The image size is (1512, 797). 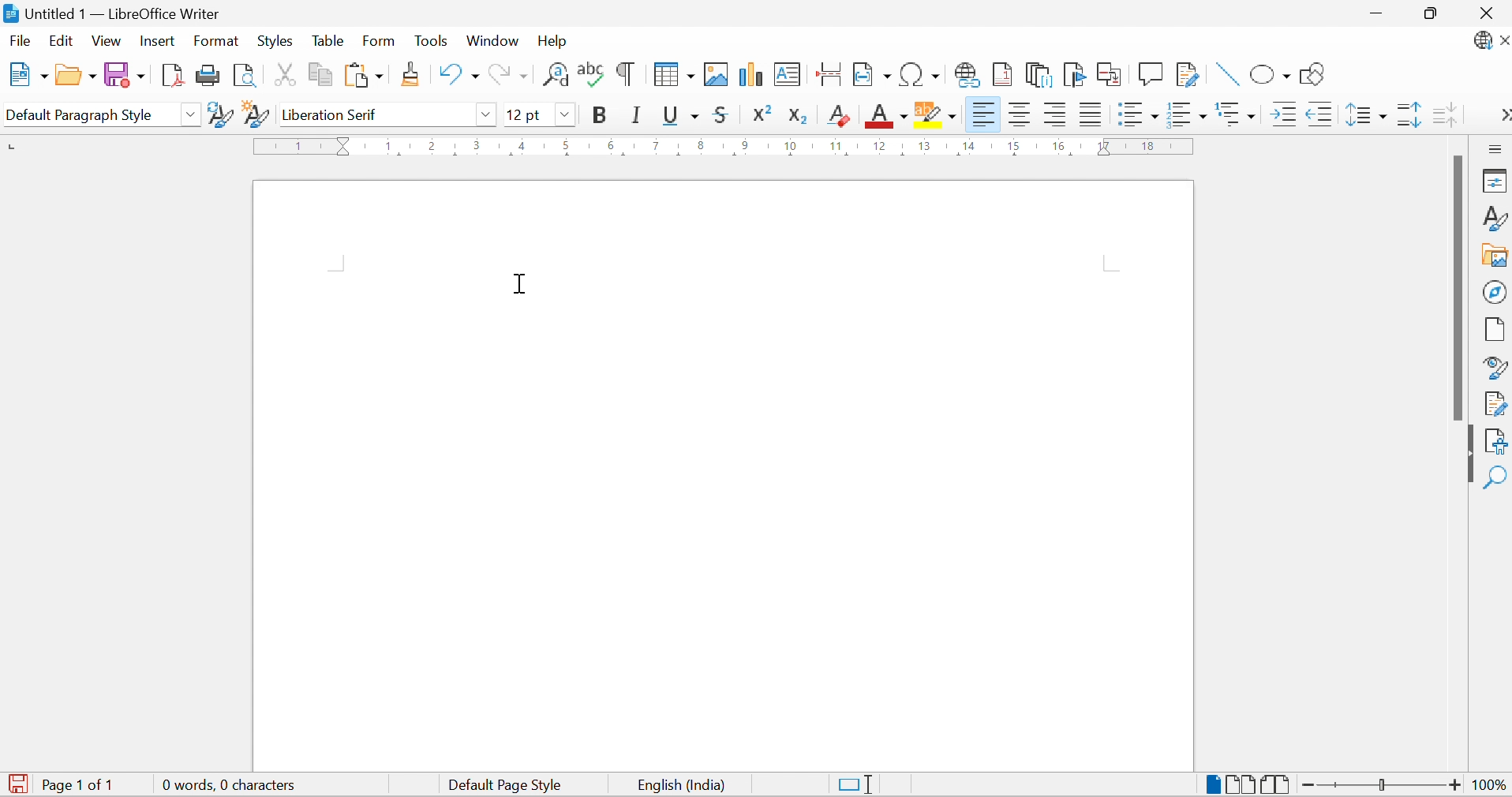 I want to click on Clear Direct Formatting, so click(x=839, y=115).